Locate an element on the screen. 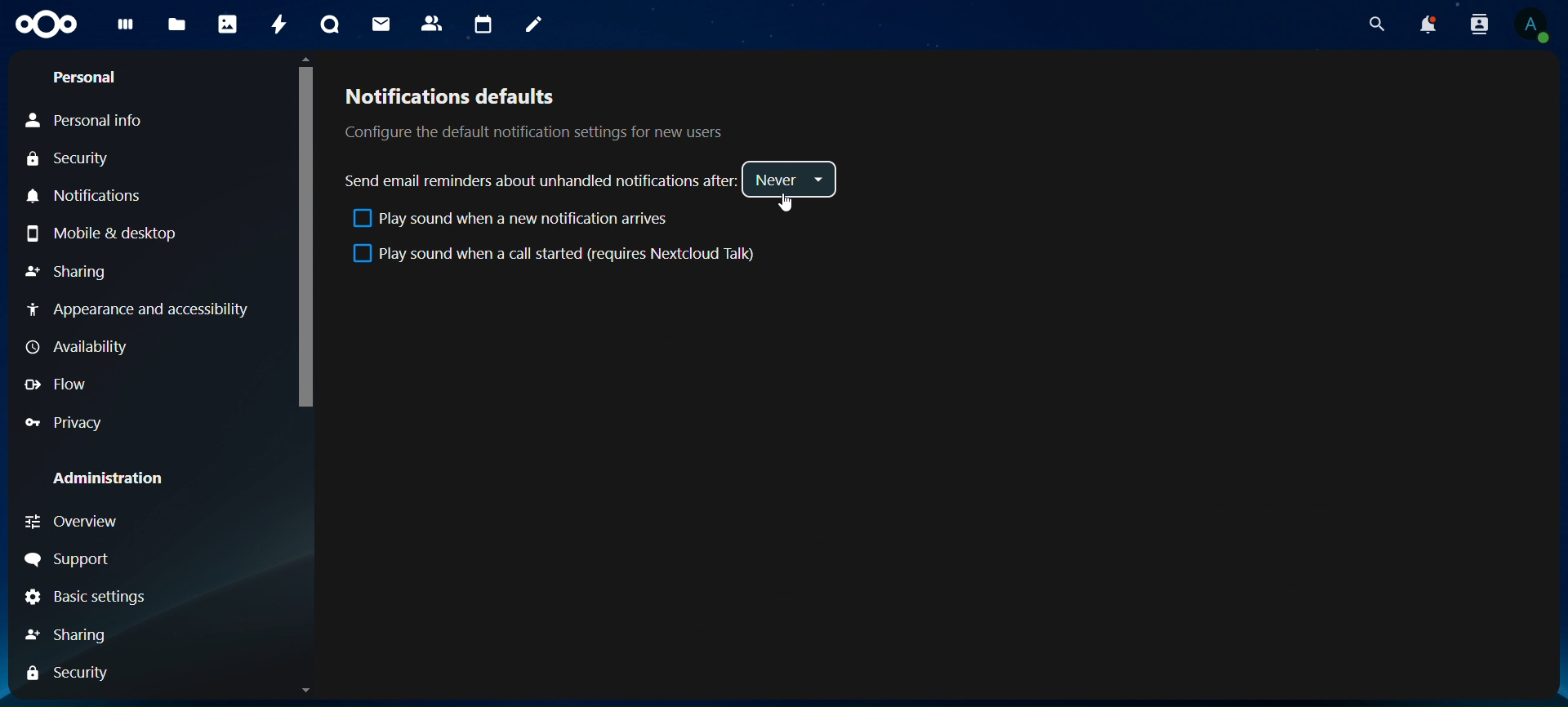 Image resolution: width=1568 pixels, height=707 pixels. search is located at coordinates (1377, 25).